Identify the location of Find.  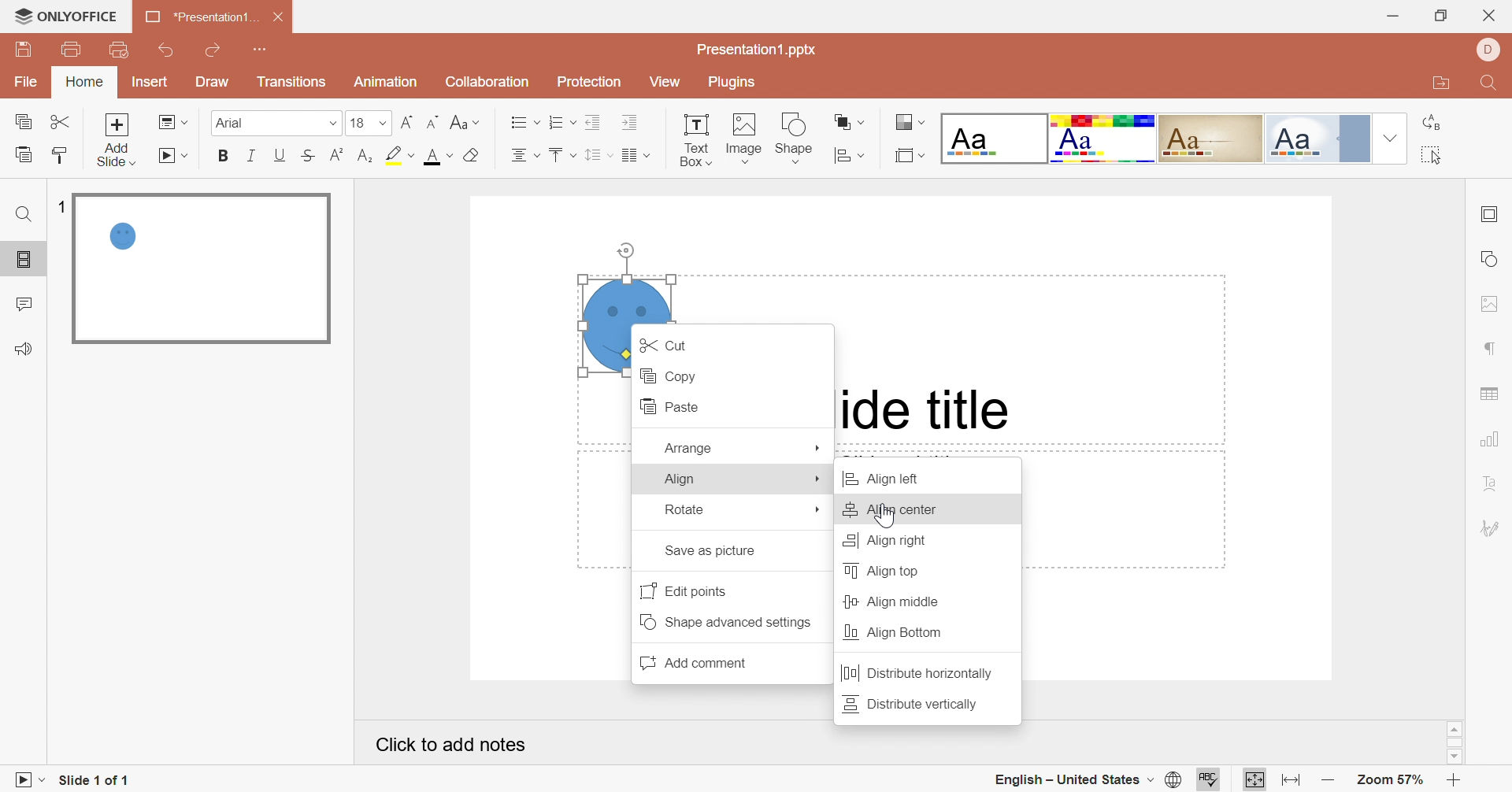
(23, 214).